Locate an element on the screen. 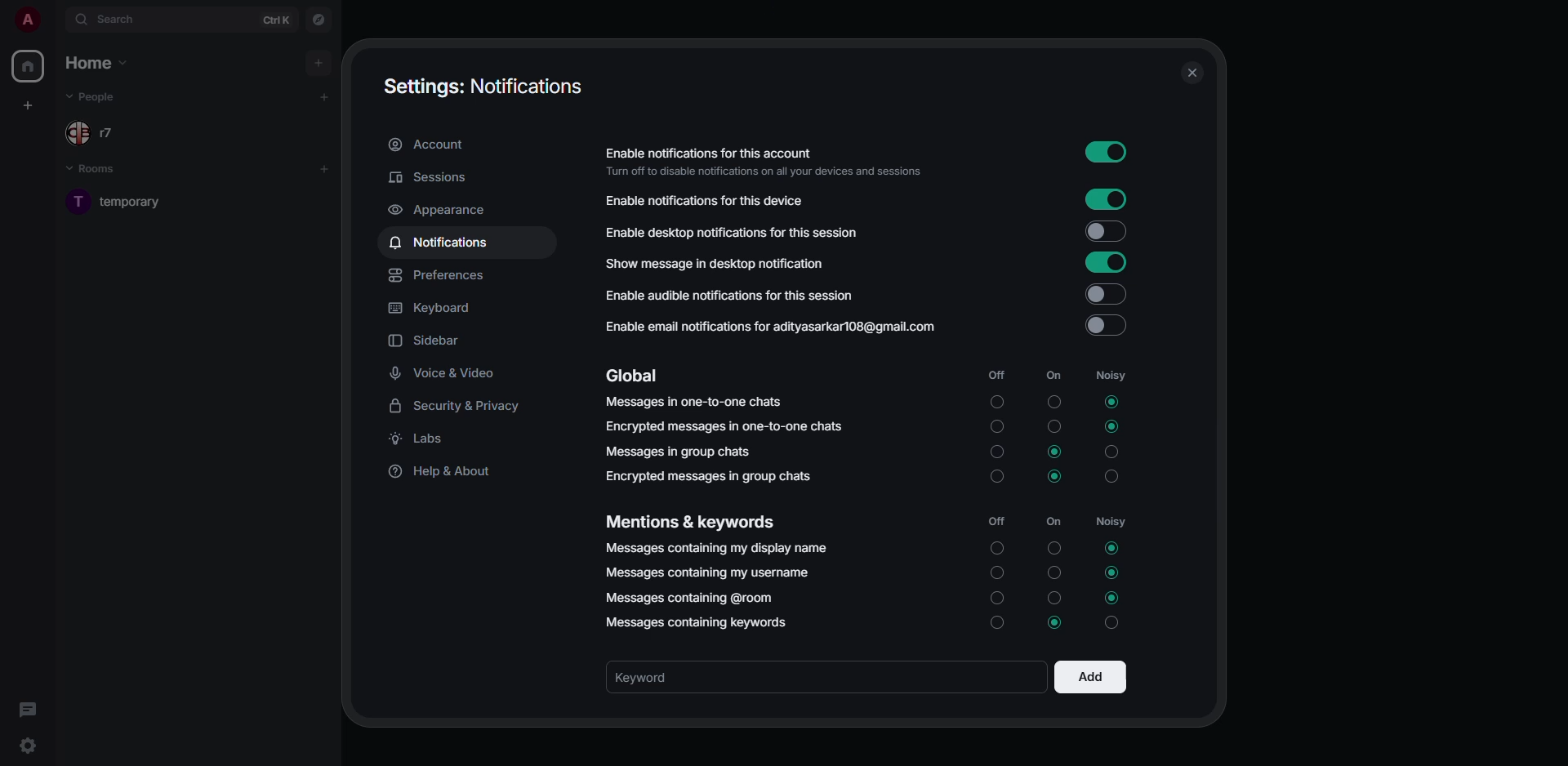 The width and height of the screenshot is (1568, 766). turn off is located at coordinates (1054, 573).